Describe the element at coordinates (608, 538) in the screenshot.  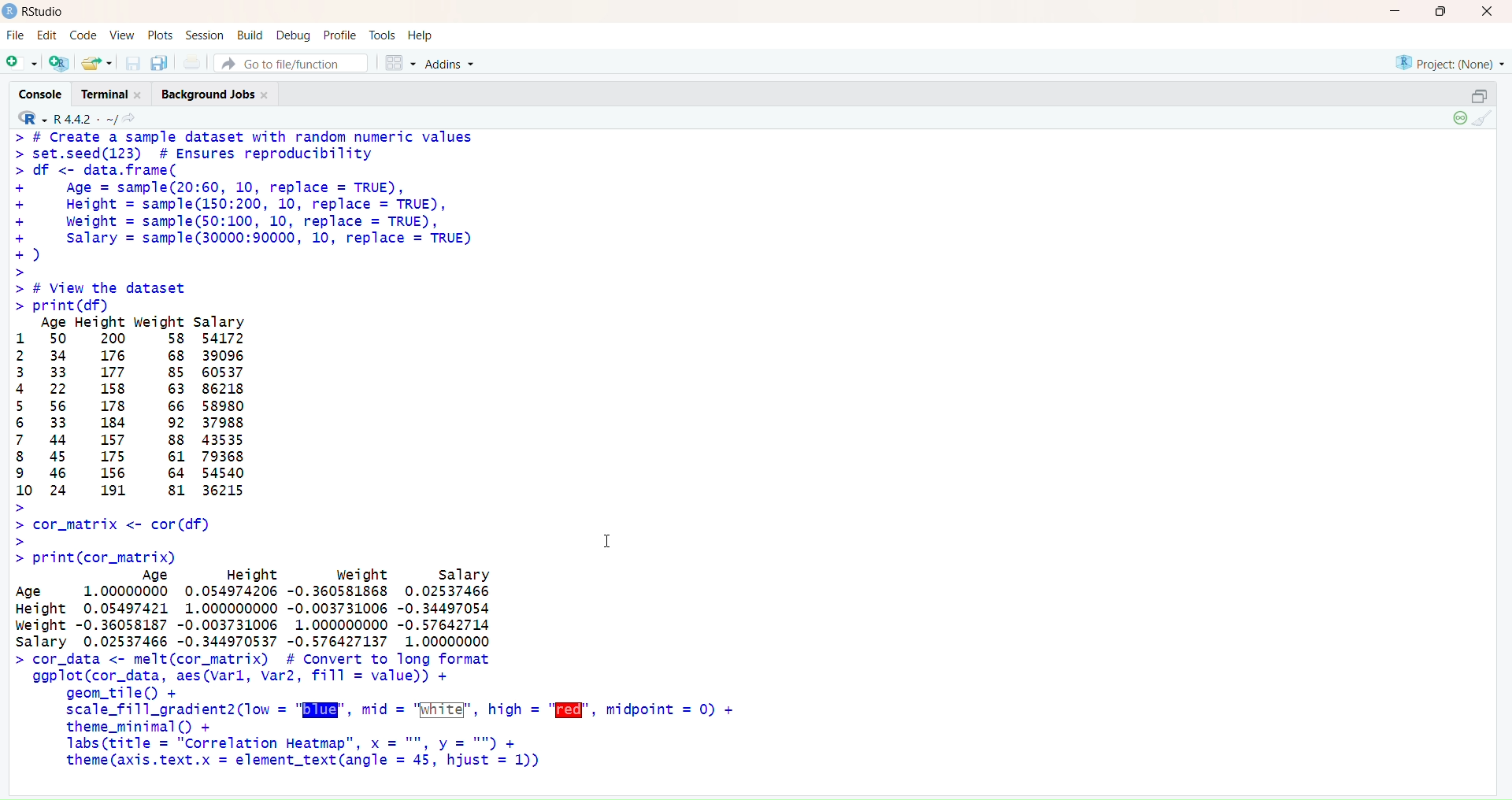
I see `Text cursor` at that location.